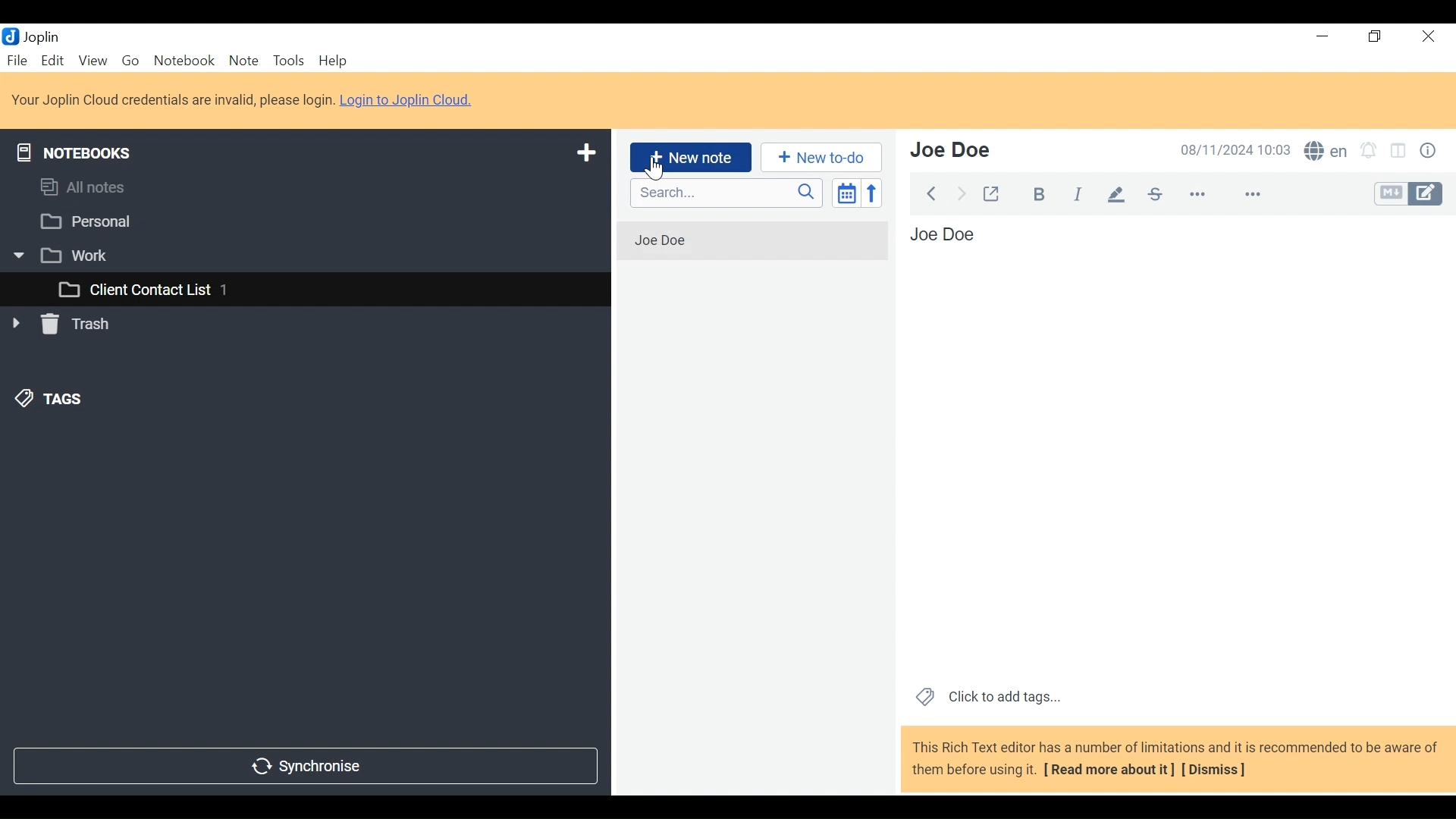 This screenshot has height=819, width=1456. Describe the element at coordinates (1226, 195) in the screenshot. I see `more` at that location.